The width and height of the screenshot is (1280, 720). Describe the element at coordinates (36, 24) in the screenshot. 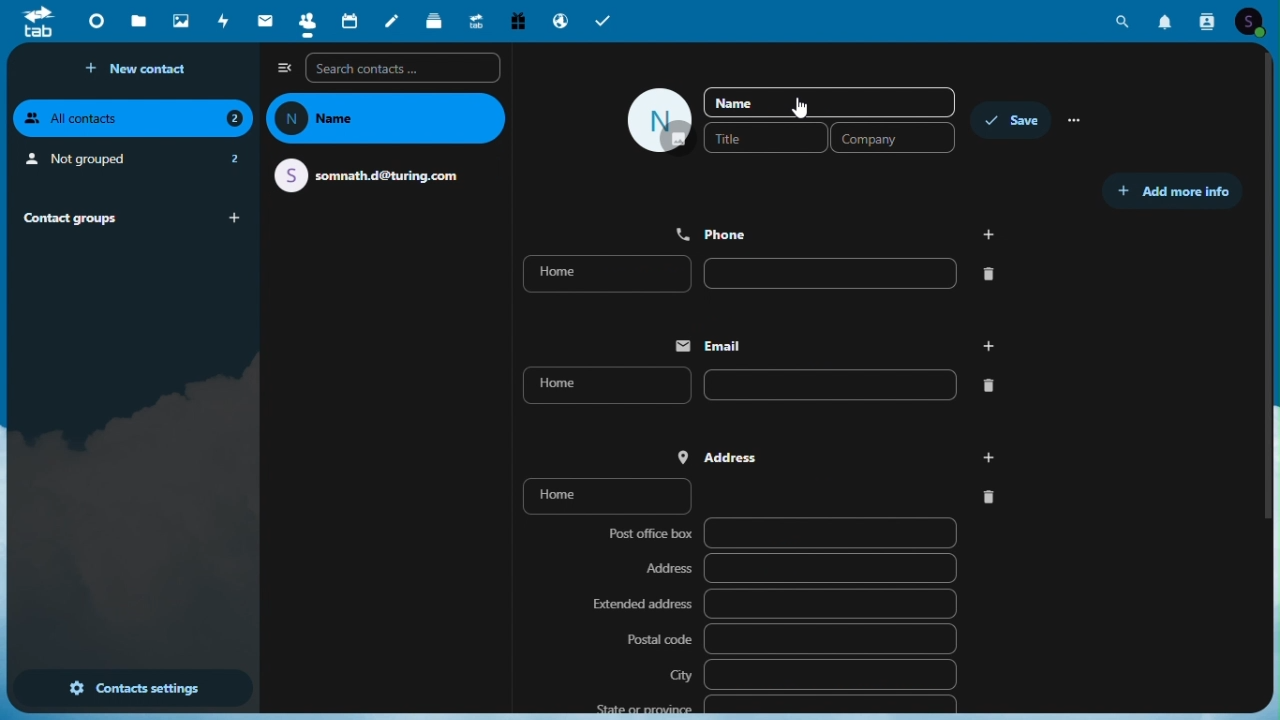

I see `tab` at that location.